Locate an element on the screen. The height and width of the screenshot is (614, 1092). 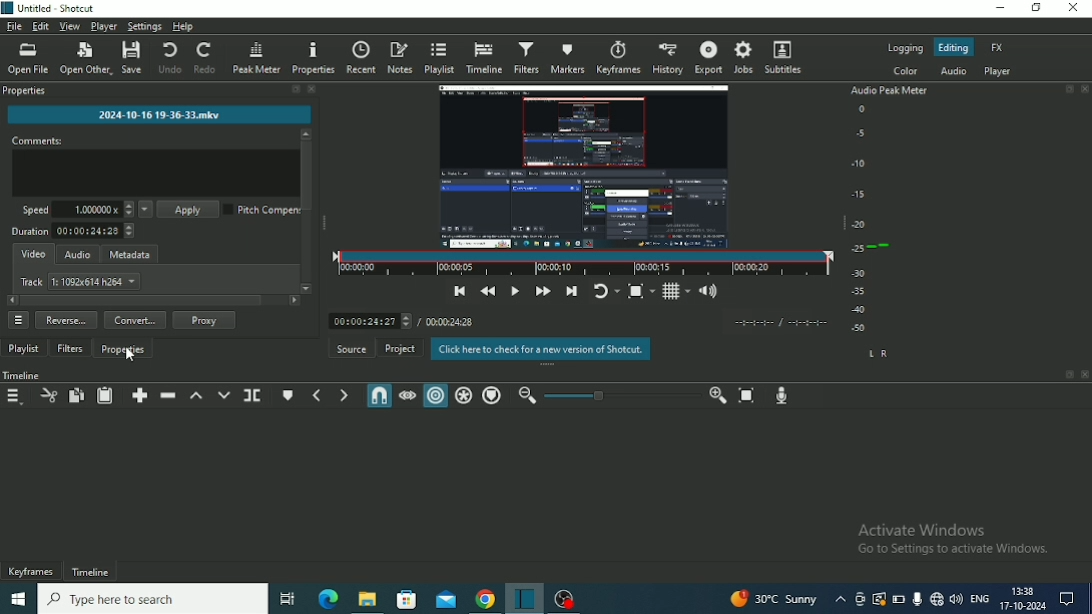
Resize is located at coordinates (326, 221).